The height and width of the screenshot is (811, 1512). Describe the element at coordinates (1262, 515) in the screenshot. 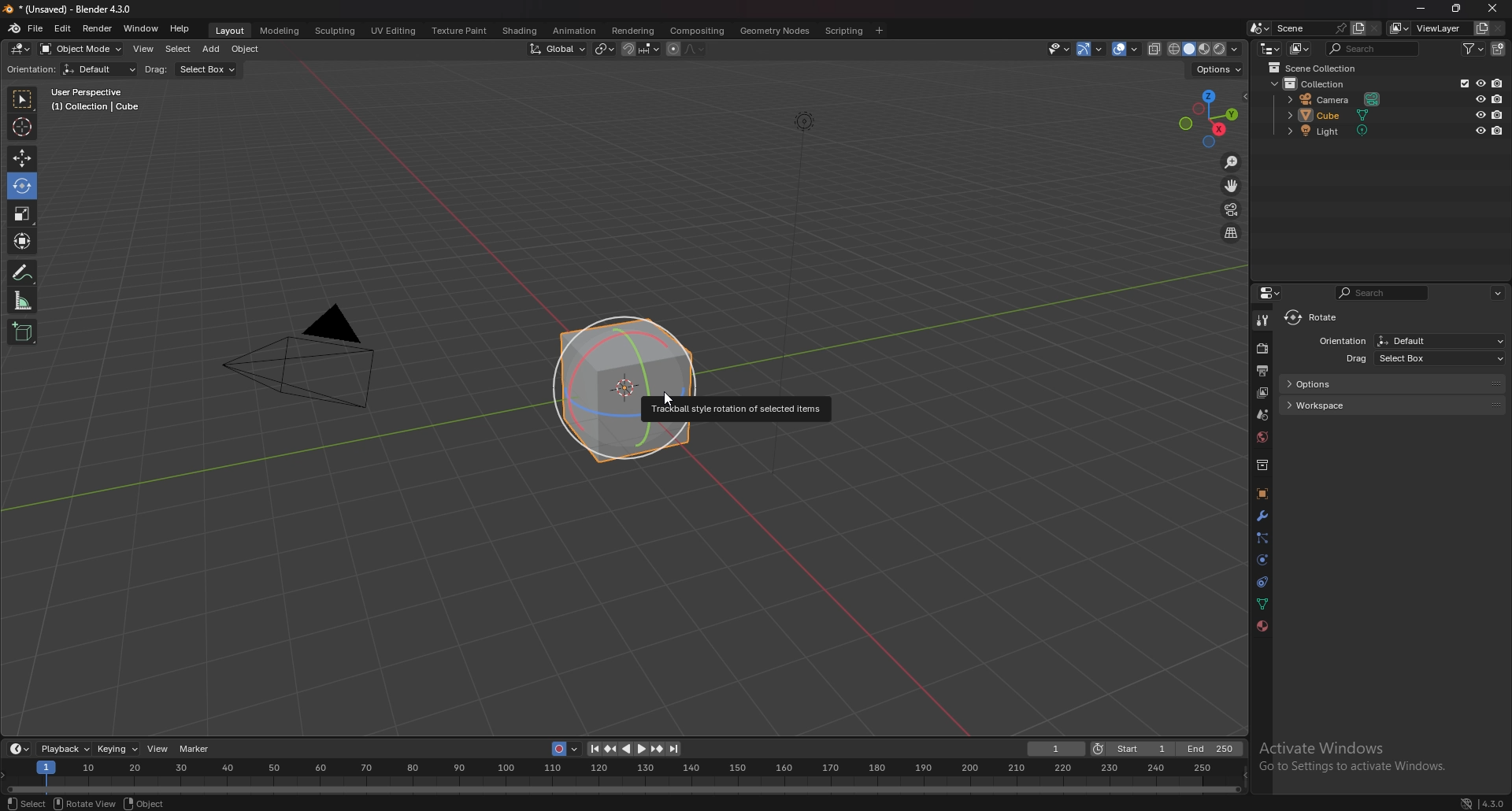

I see `modifier` at that location.